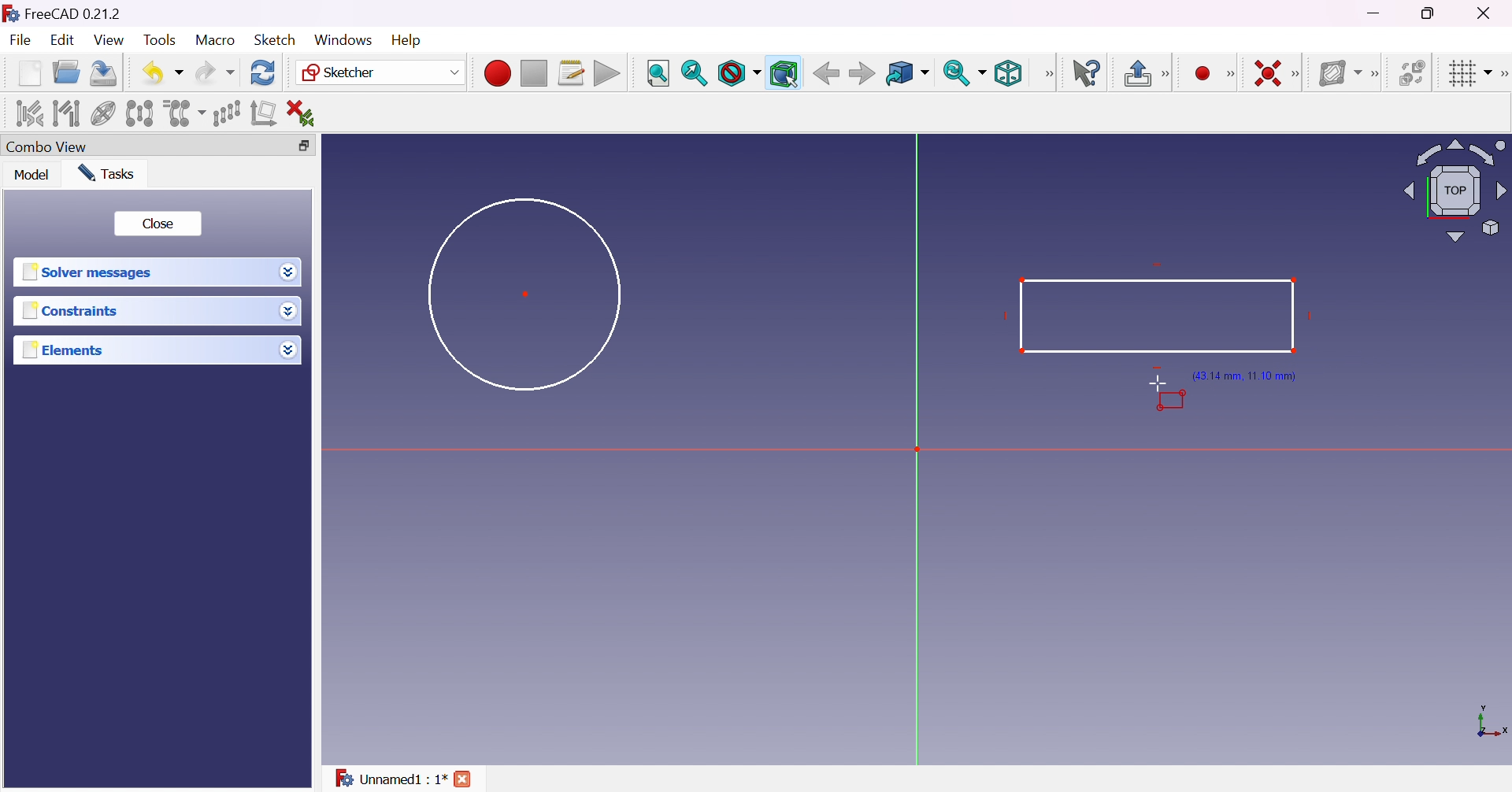  What do you see at coordinates (264, 114) in the screenshot?
I see `Remove axes alignment` at bounding box center [264, 114].